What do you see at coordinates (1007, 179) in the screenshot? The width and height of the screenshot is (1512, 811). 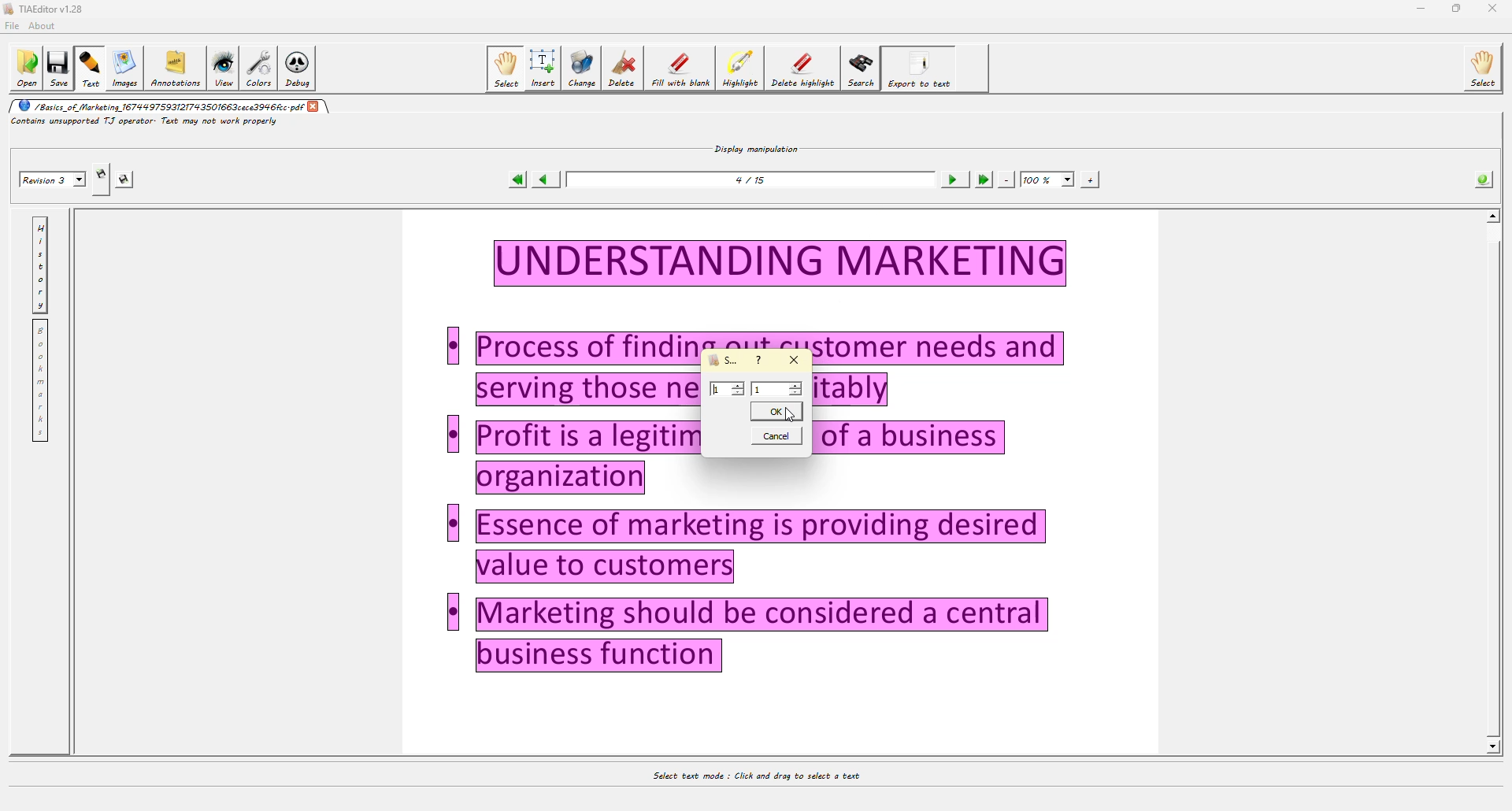 I see `zoom out` at bounding box center [1007, 179].